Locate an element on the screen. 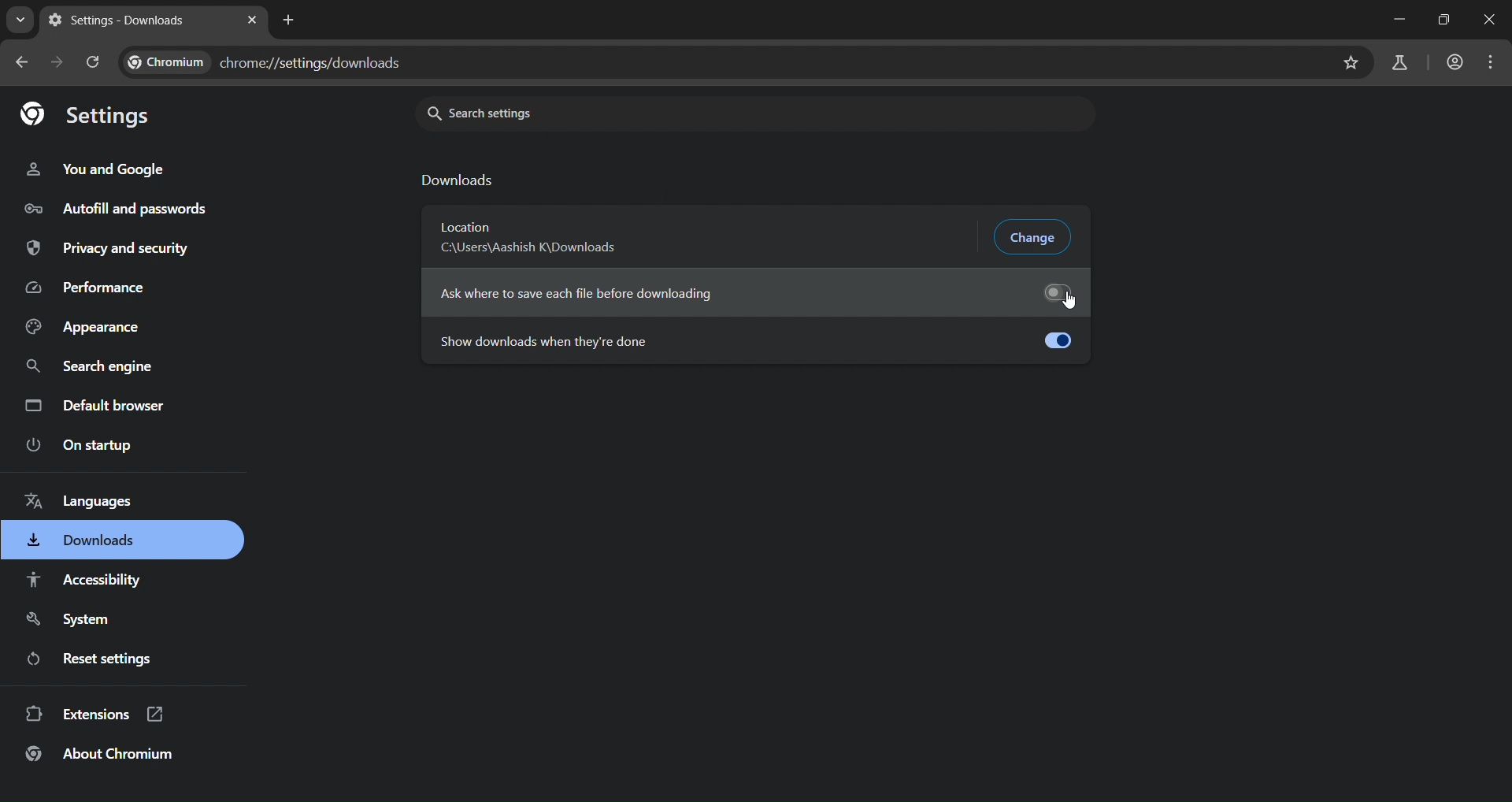 This screenshot has height=802, width=1512. about chromium is located at coordinates (99, 756).